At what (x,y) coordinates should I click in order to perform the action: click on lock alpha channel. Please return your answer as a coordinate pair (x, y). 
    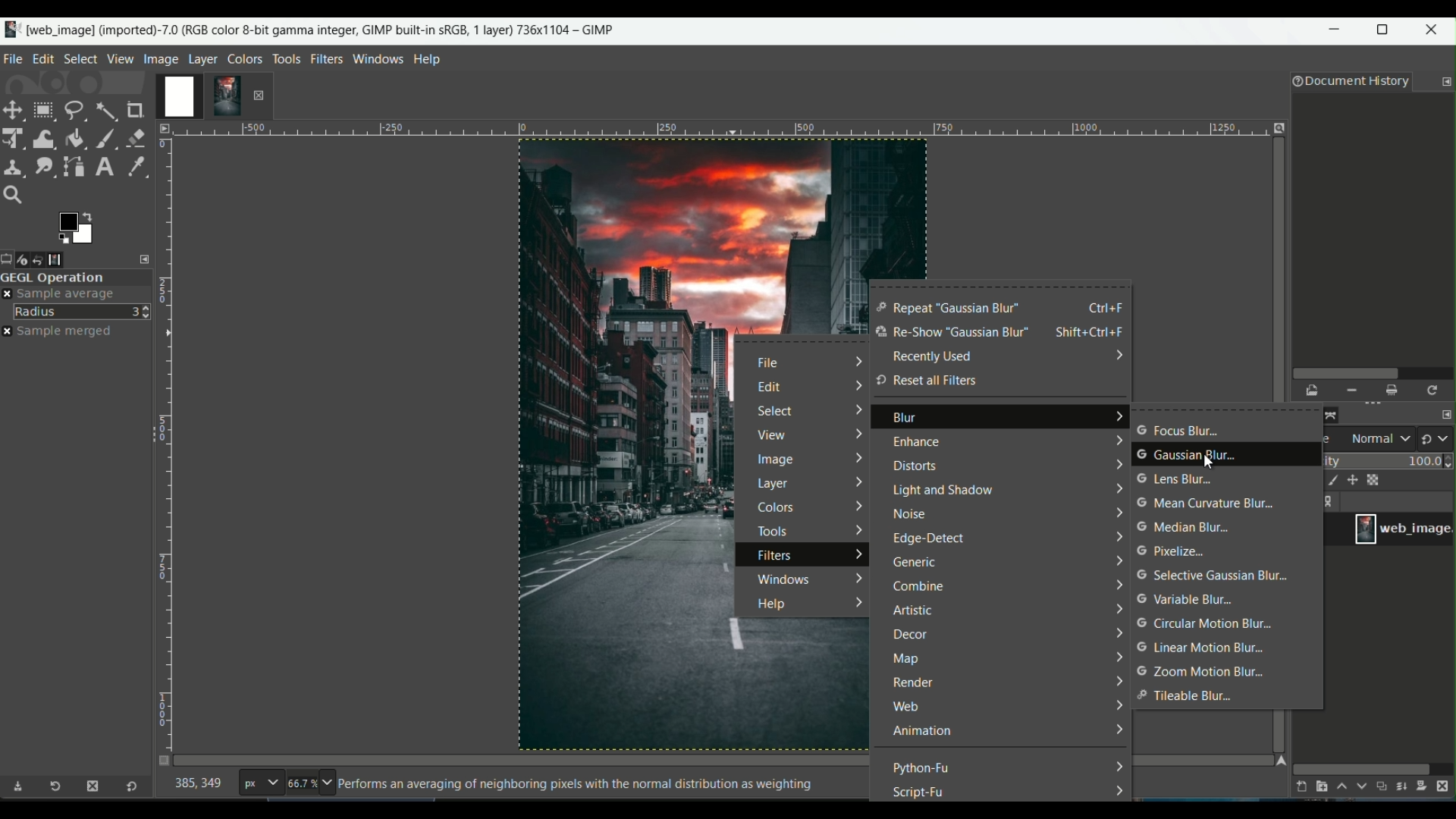
    Looking at the image, I should click on (1376, 479).